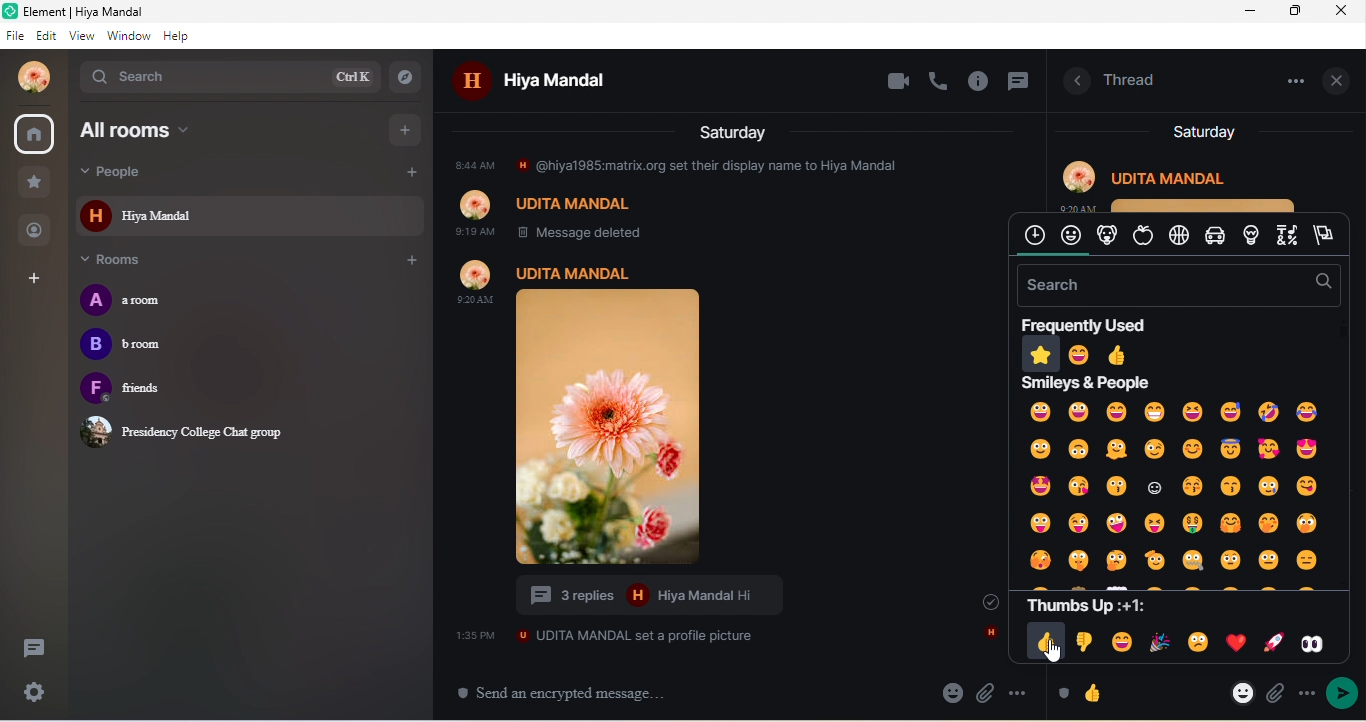 The image size is (1366, 722). What do you see at coordinates (989, 634) in the screenshot?
I see `h` at bounding box center [989, 634].